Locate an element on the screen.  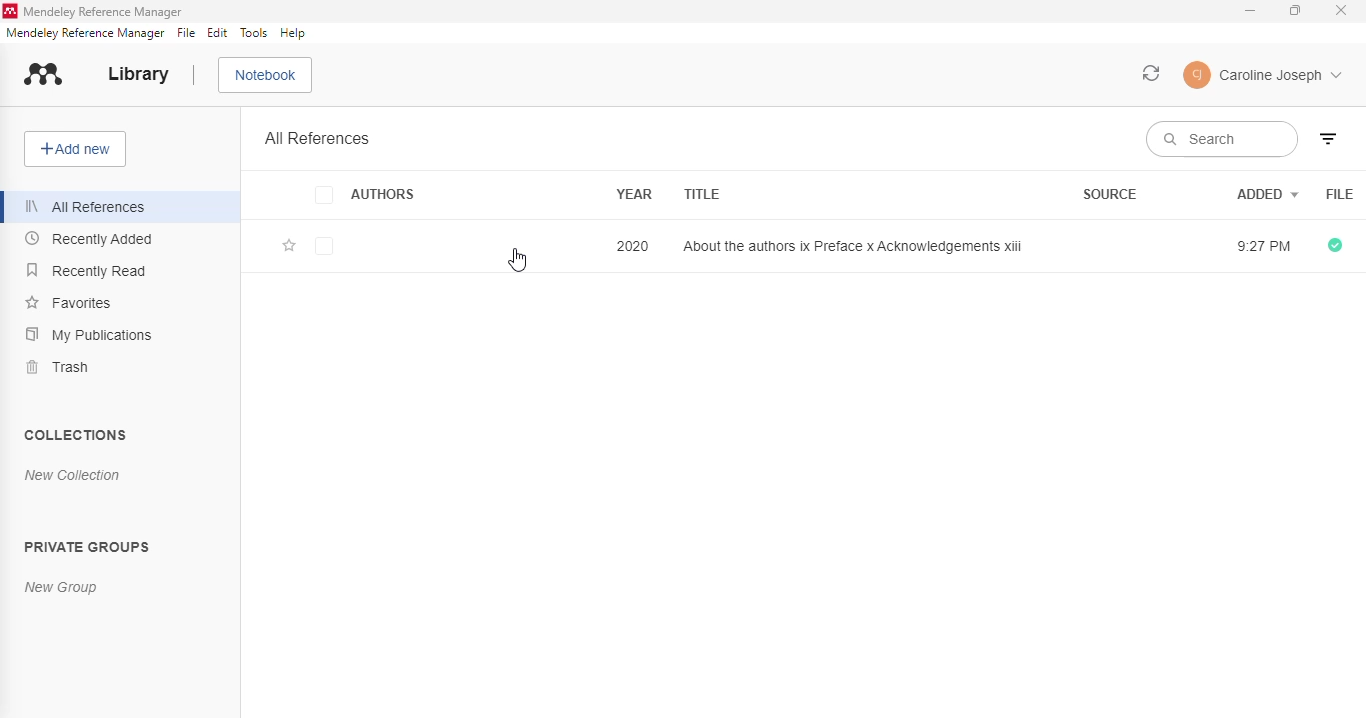
account is located at coordinates (1262, 74).